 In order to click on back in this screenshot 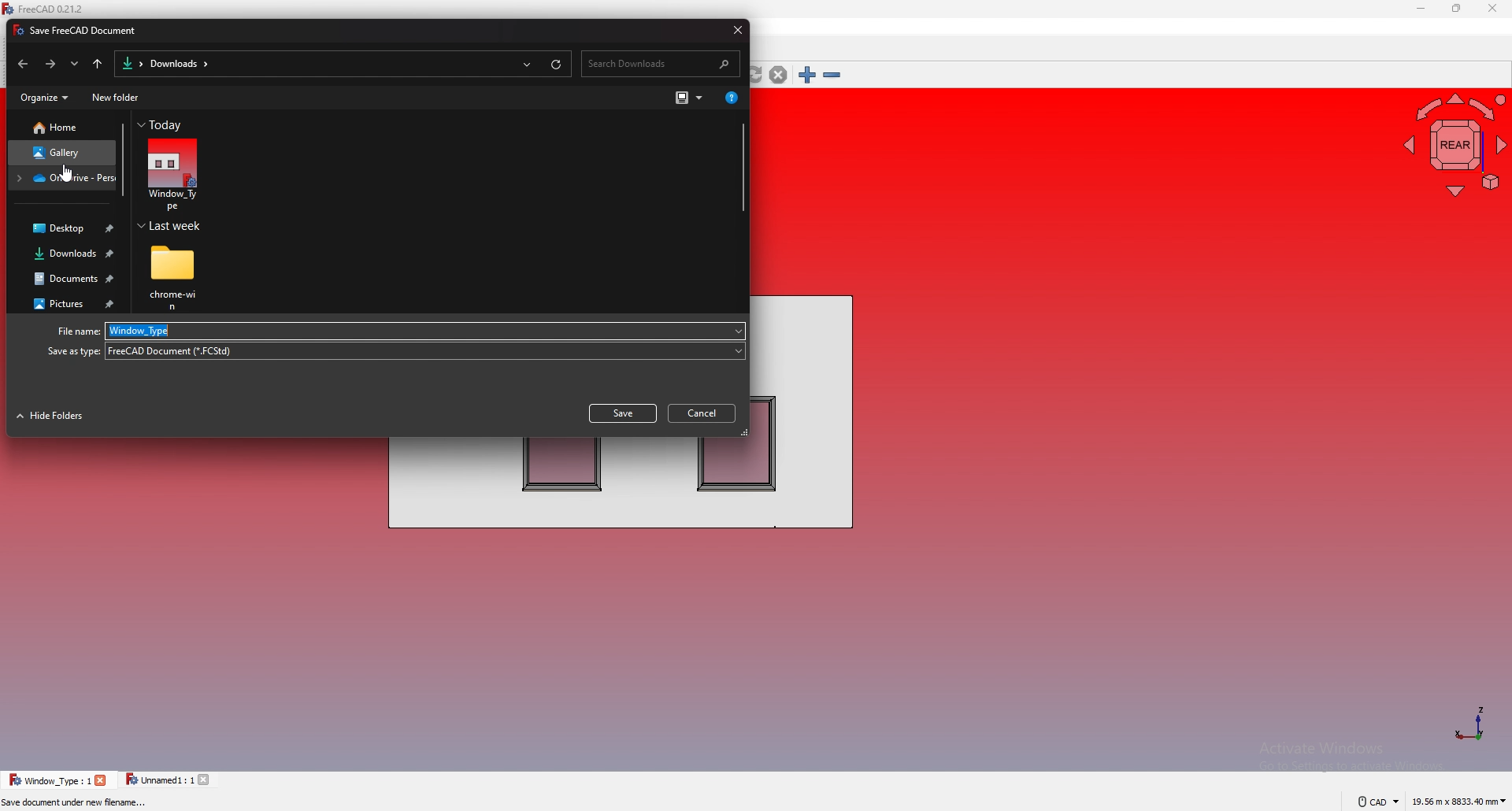, I will do `click(20, 65)`.